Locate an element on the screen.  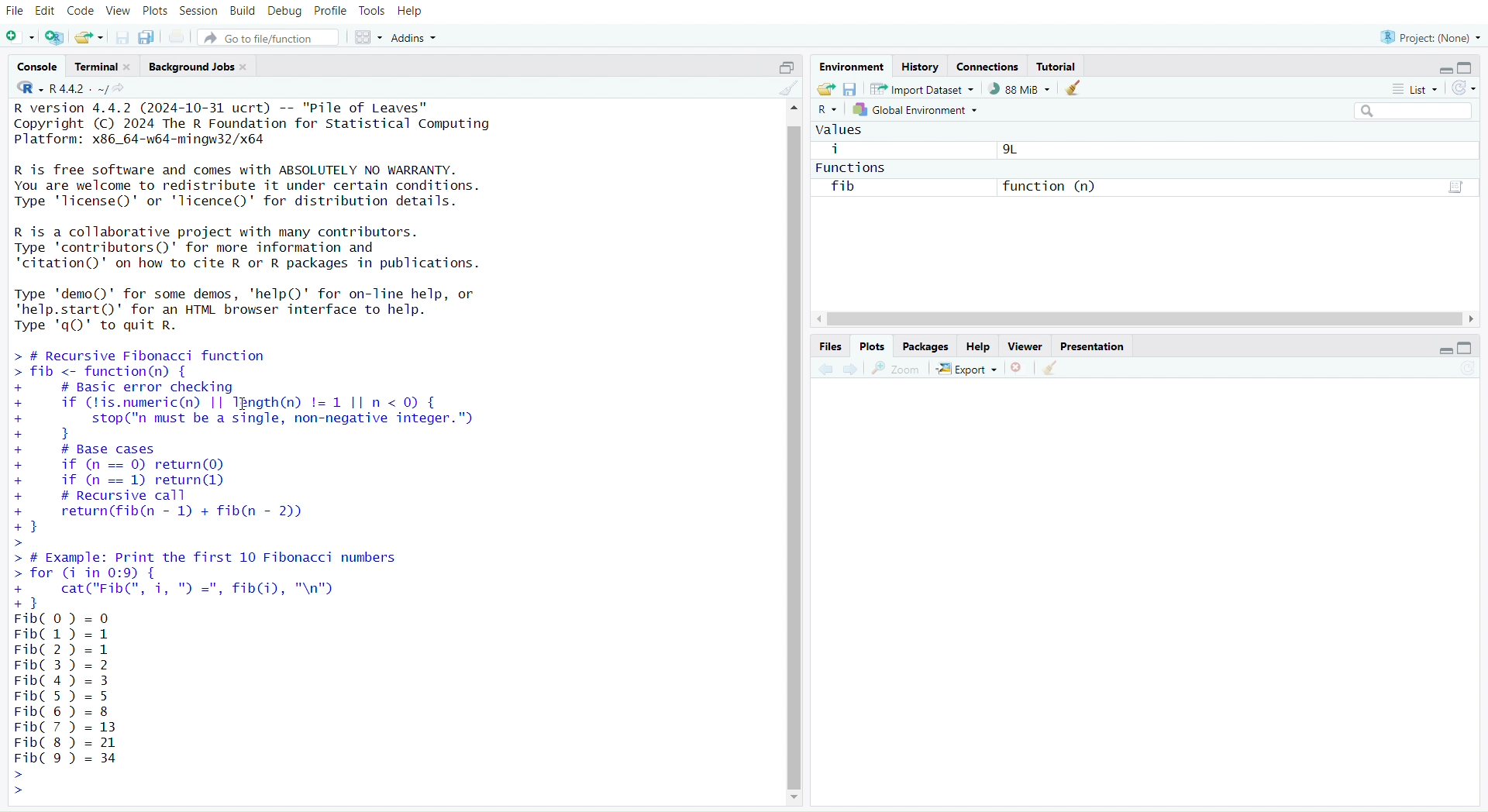
view the current working directory is located at coordinates (120, 89).